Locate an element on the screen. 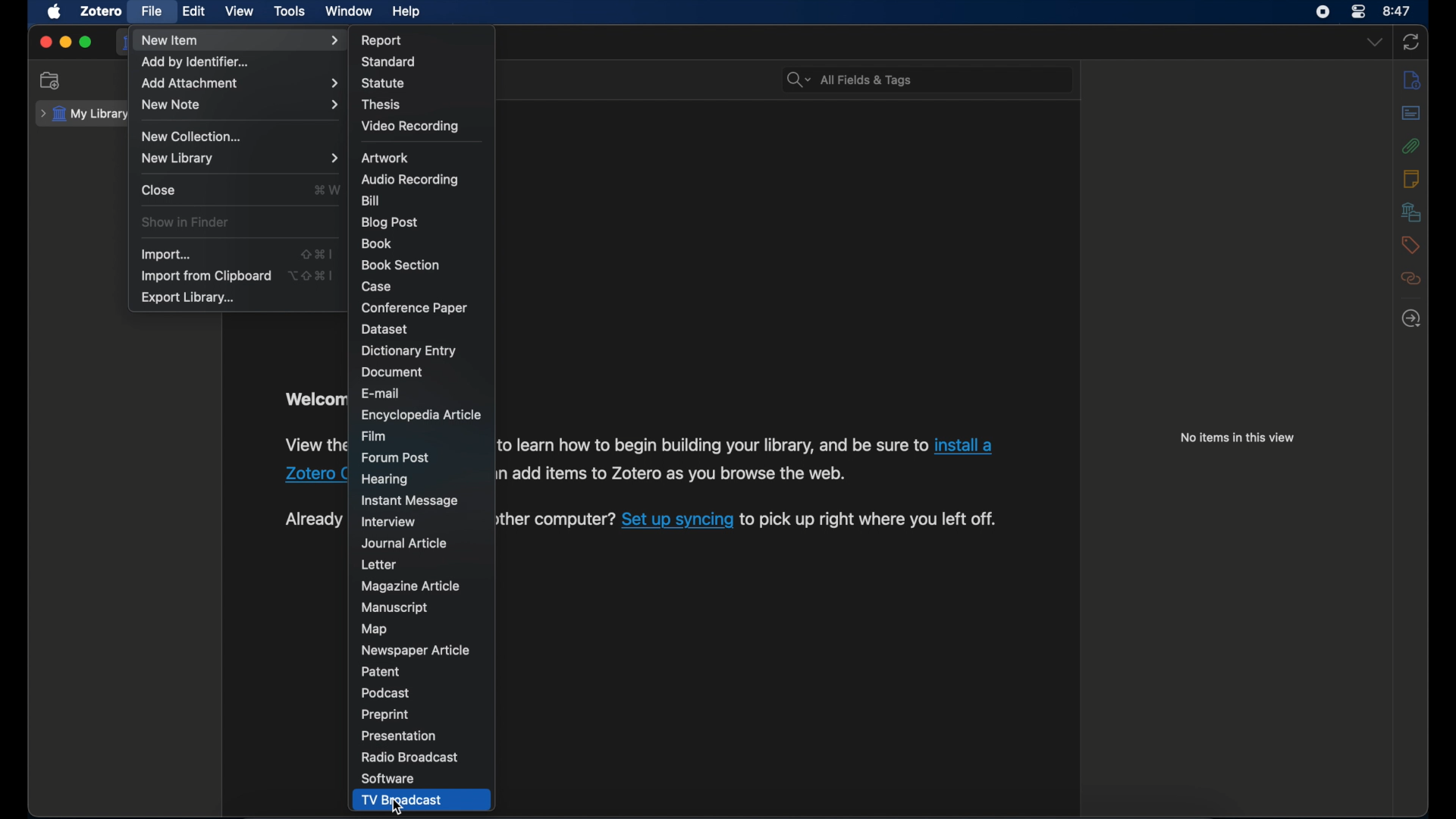 Image resolution: width=1456 pixels, height=819 pixels. forum post is located at coordinates (397, 457).